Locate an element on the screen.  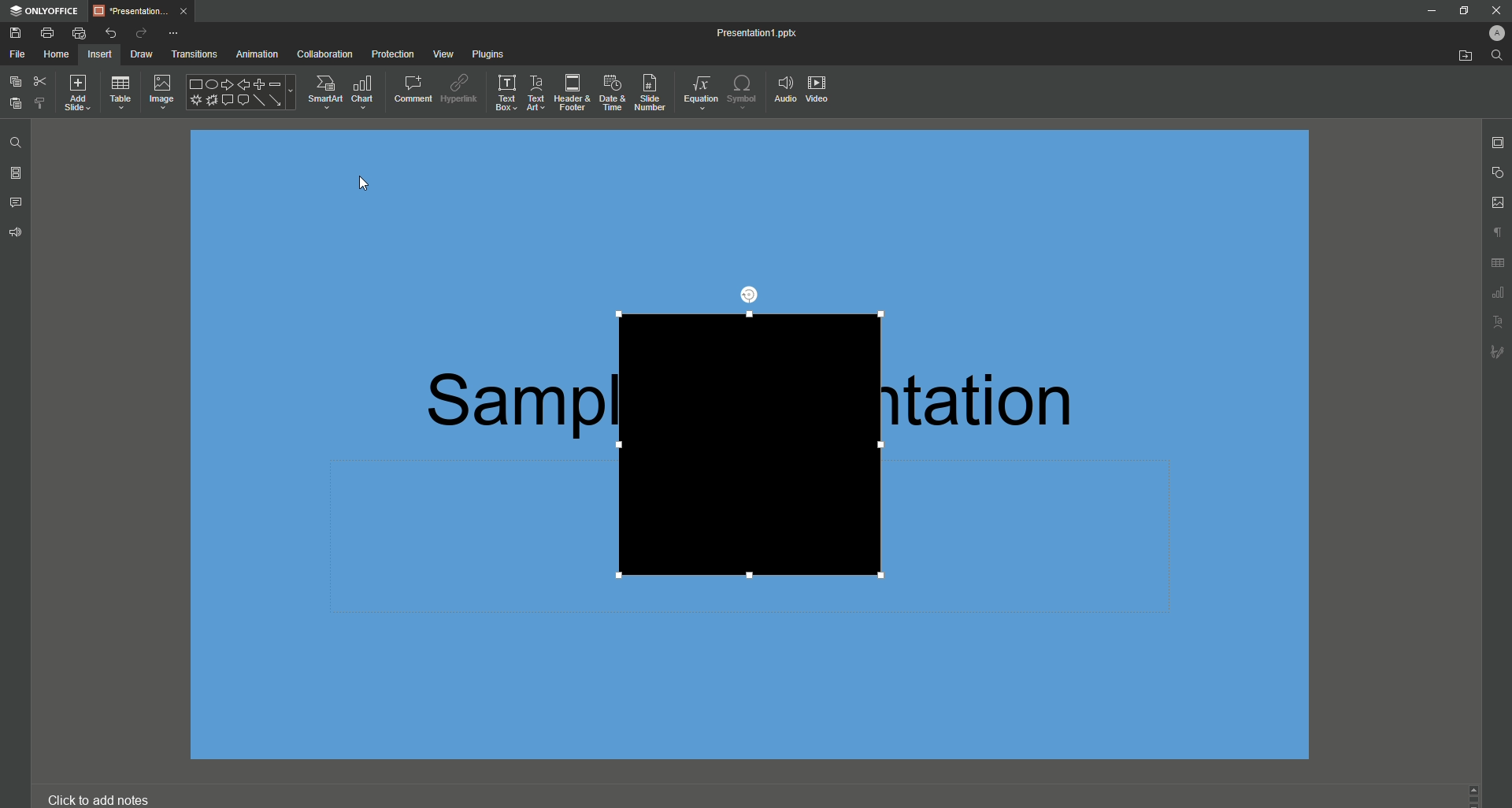
Presentation 1 is located at coordinates (746, 32).